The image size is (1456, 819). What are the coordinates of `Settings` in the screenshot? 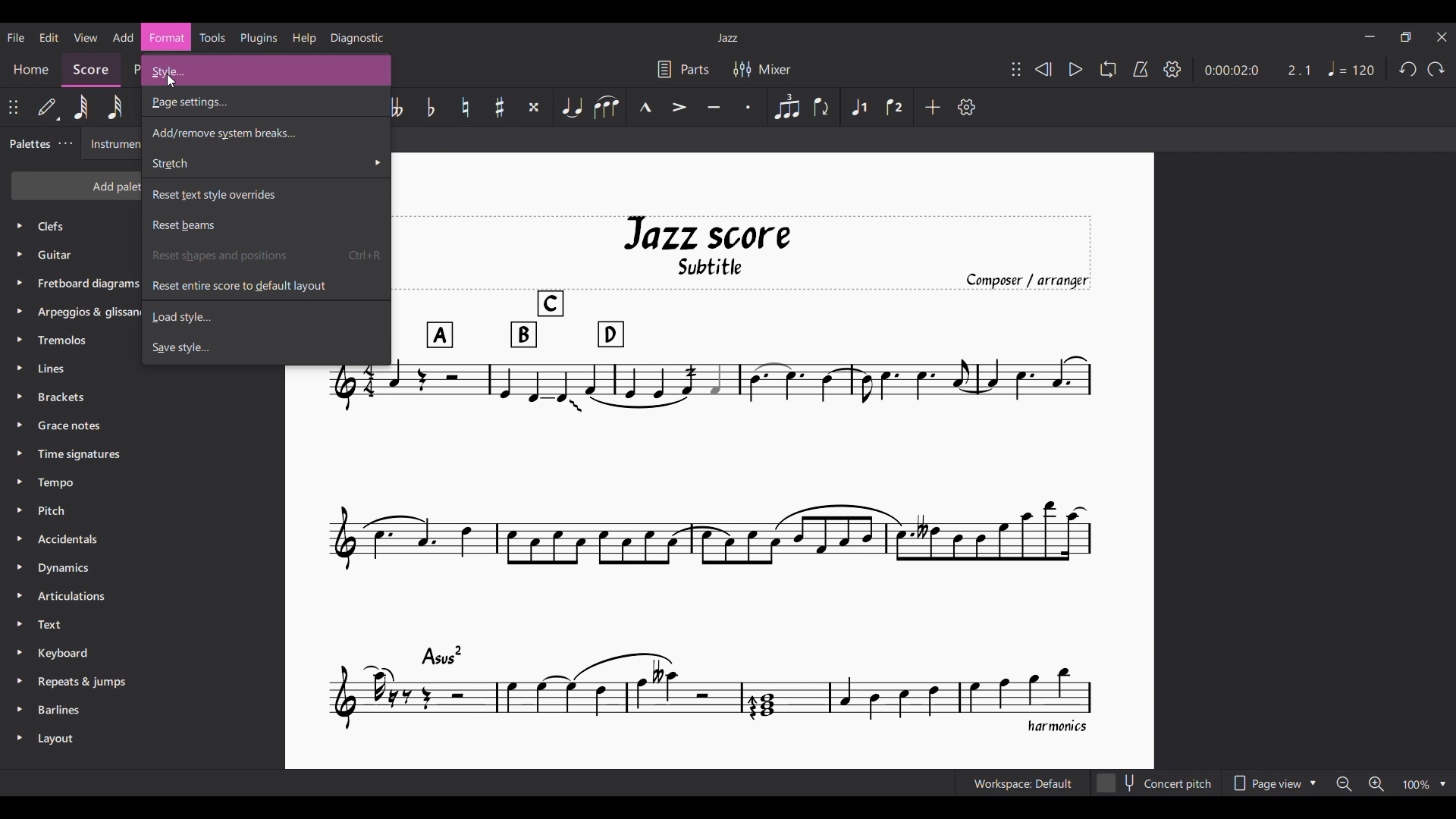 It's located at (1172, 69).